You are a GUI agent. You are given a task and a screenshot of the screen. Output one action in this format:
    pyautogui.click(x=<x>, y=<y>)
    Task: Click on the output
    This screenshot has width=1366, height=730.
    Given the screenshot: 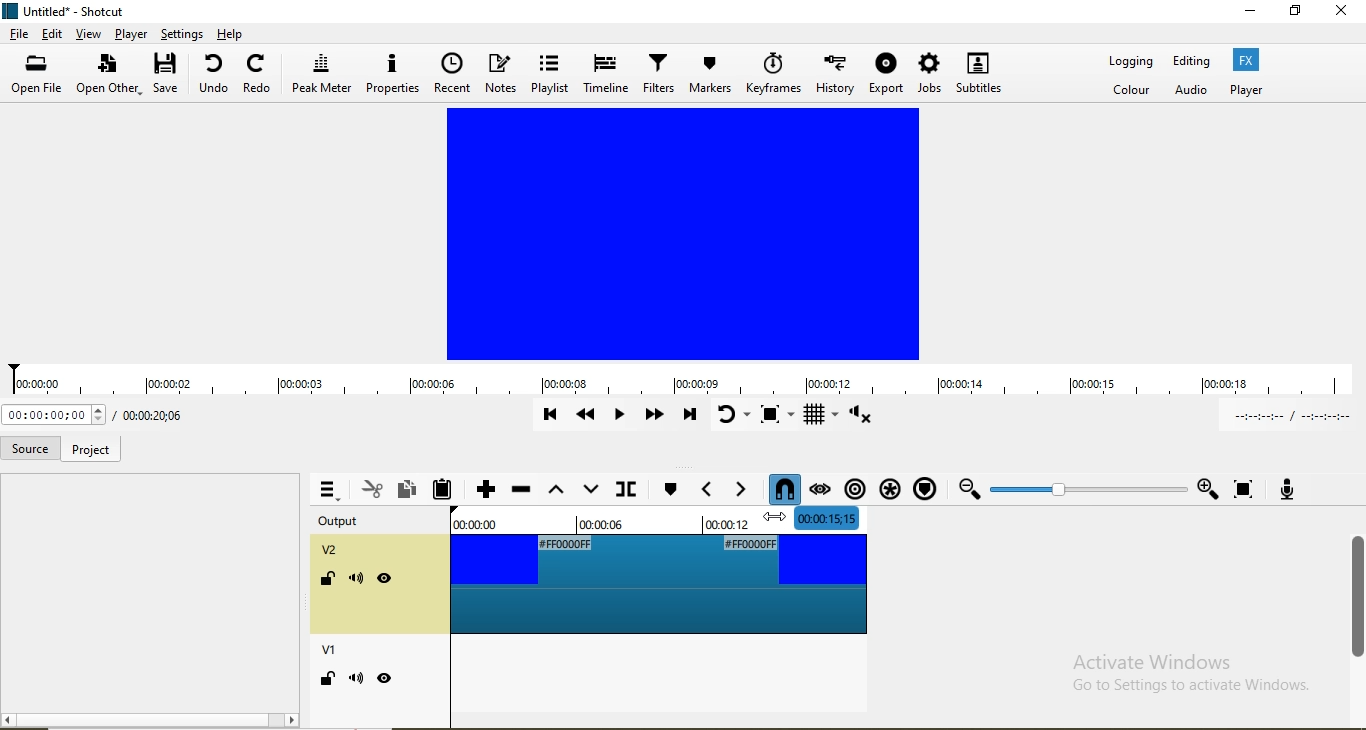 What is the action you would take?
    pyautogui.click(x=352, y=522)
    